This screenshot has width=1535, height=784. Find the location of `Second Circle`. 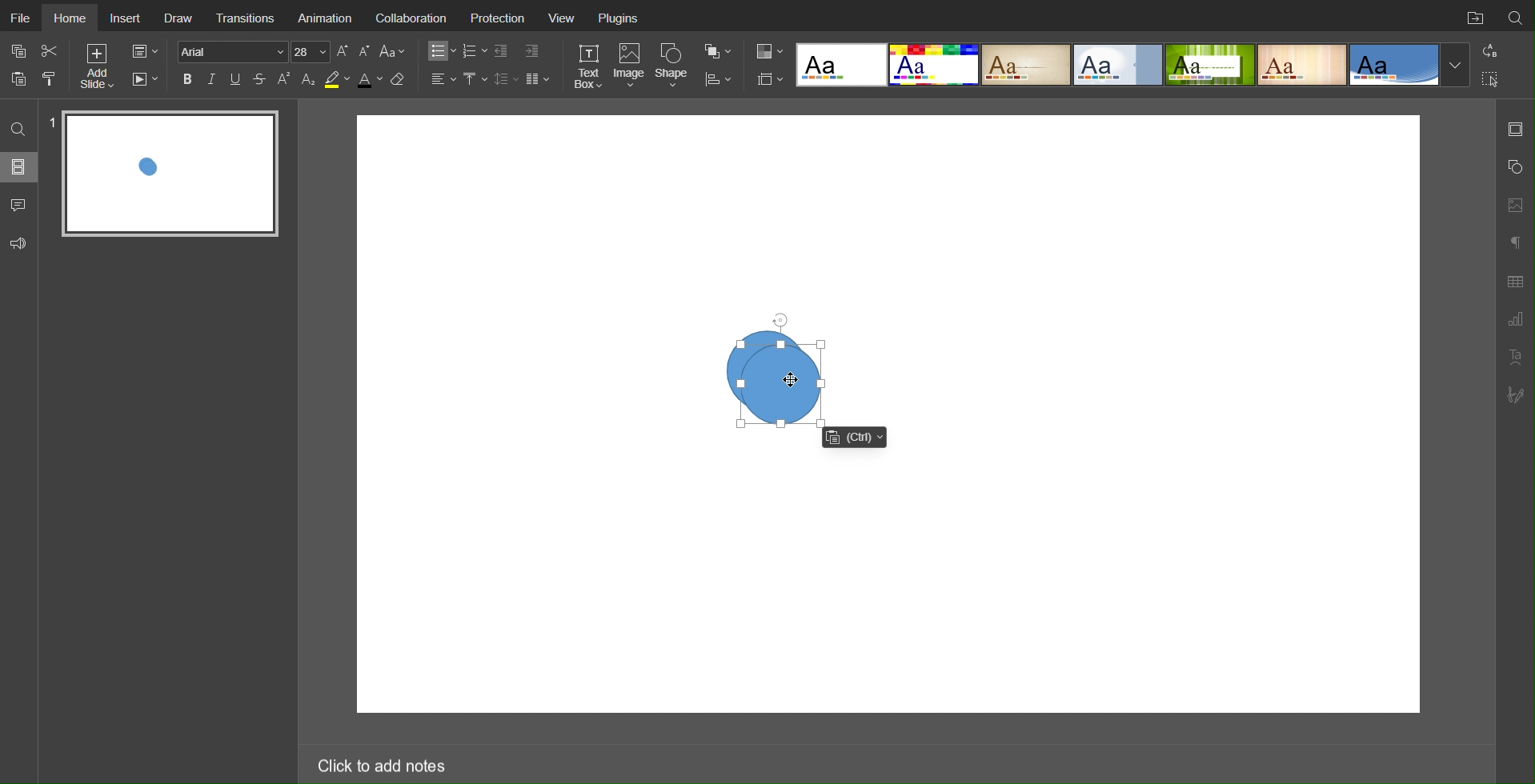

Second Circle is located at coordinates (781, 385).